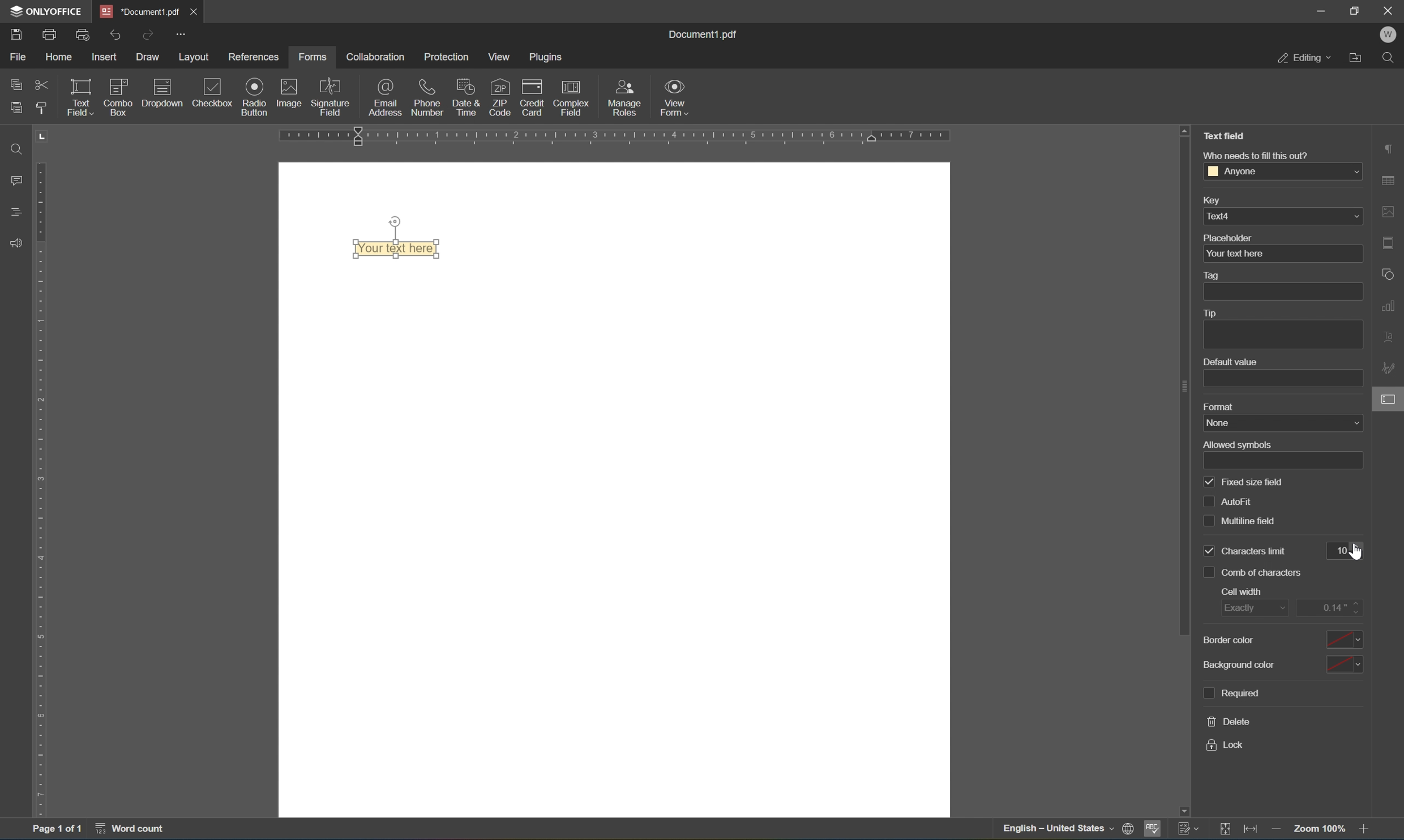 The width and height of the screenshot is (1404, 840). Describe the element at coordinates (314, 57) in the screenshot. I see `forms` at that location.